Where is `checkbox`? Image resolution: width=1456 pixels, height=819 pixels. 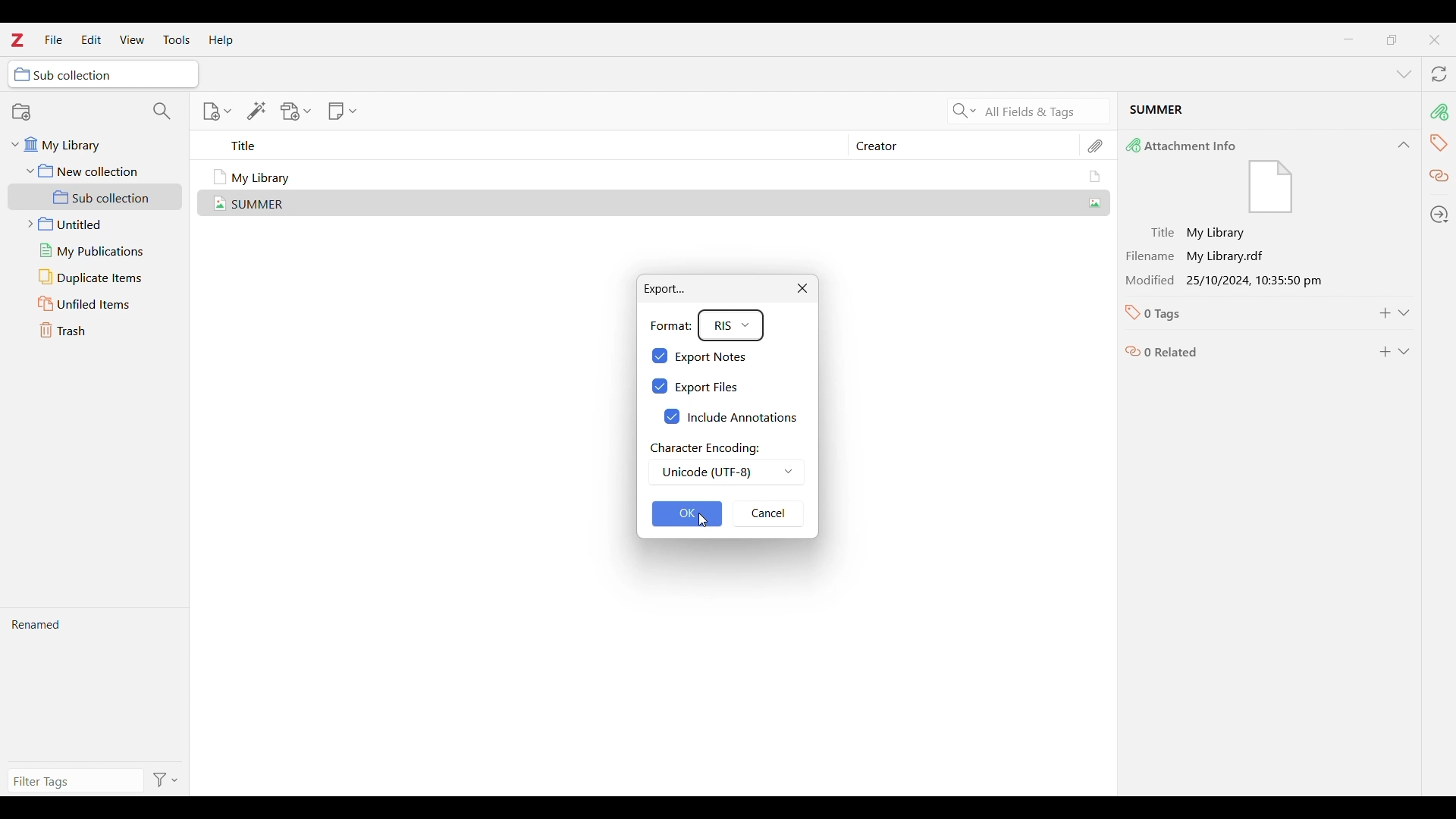
checkbox is located at coordinates (657, 356).